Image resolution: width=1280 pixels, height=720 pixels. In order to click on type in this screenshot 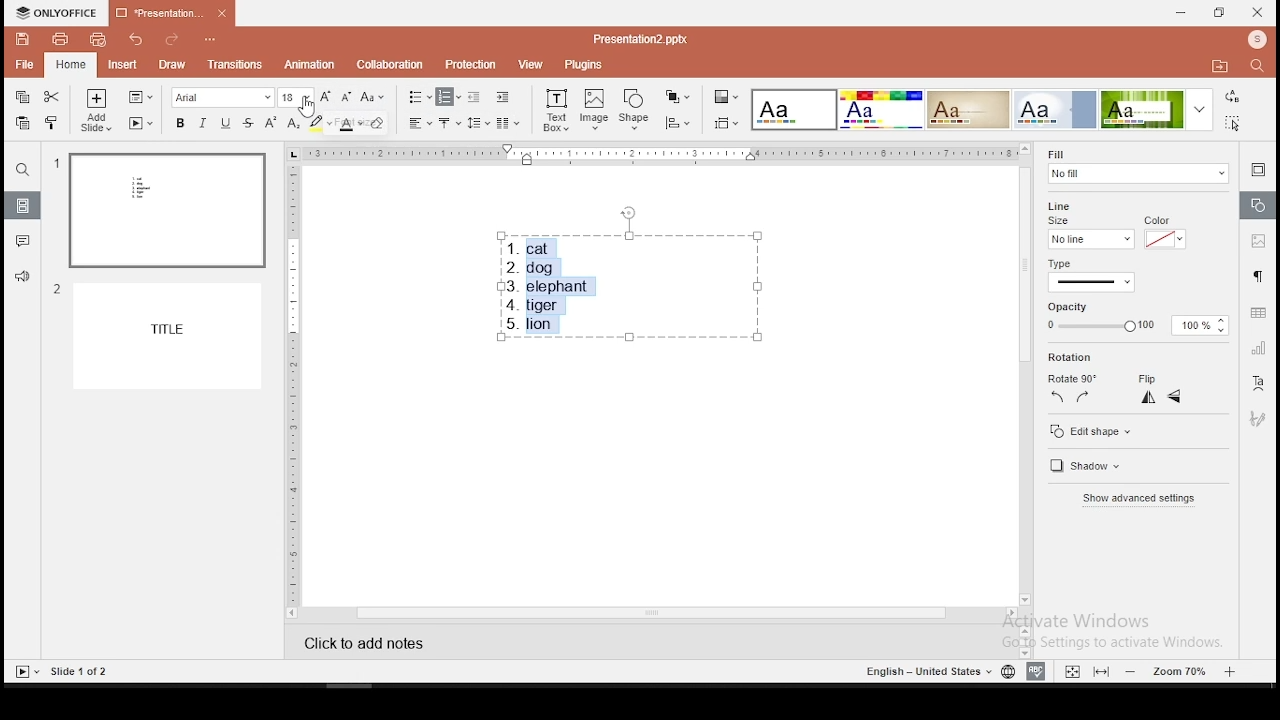, I will do `click(1120, 272)`.